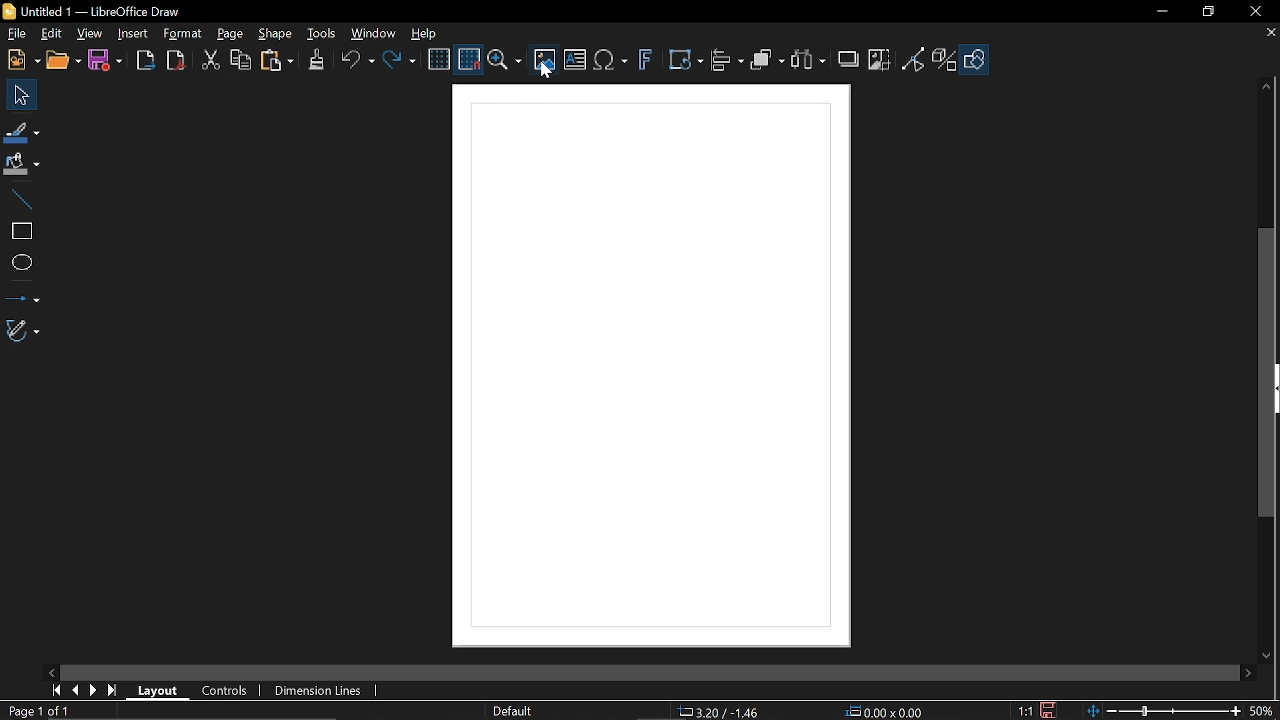 This screenshot has width=1280, height=720. What do you see at coordinates (210, 60) in the screenshot?
I see `Cut ` at bounding box center [210, 60].